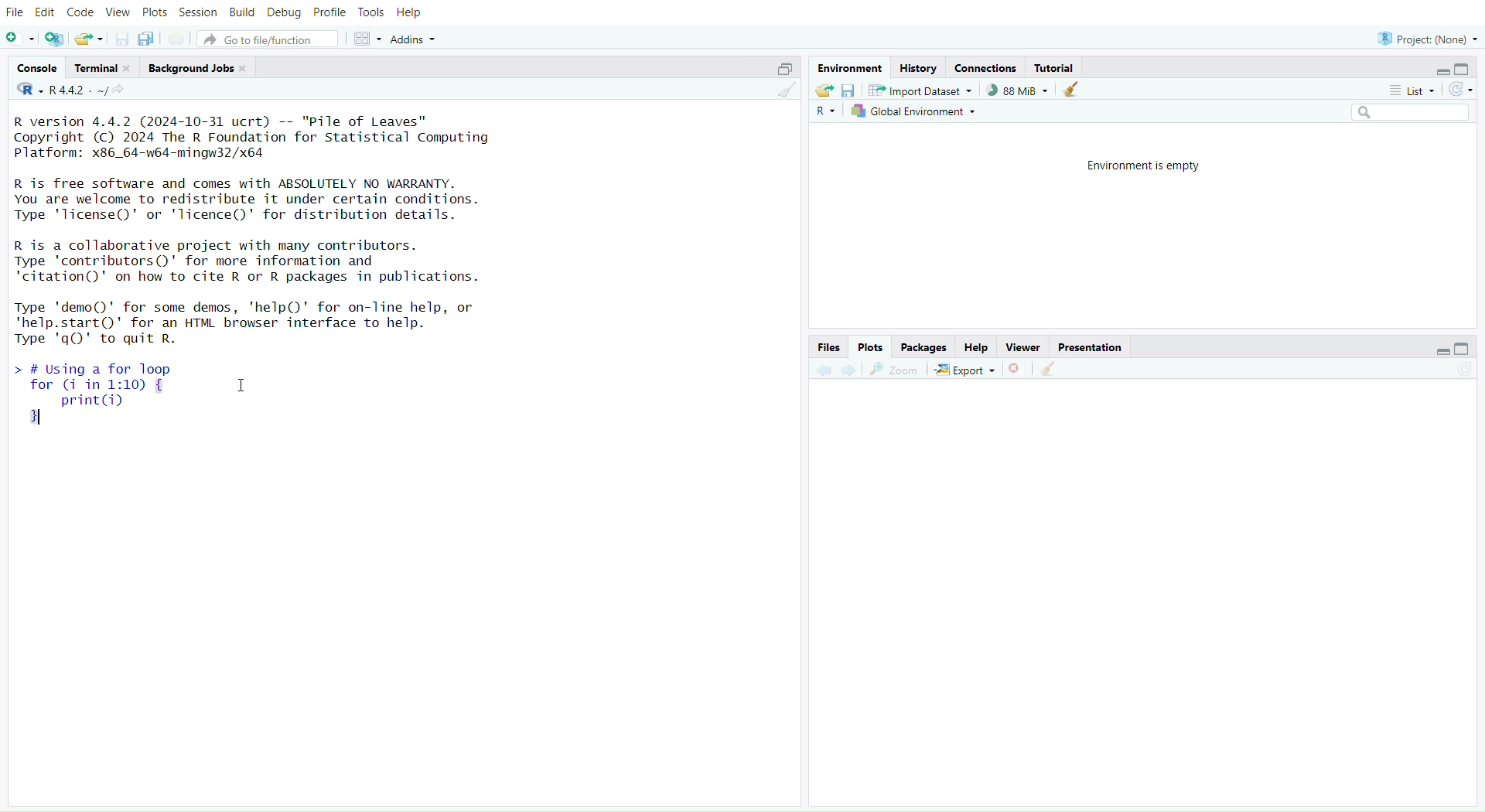 The width and height of the screenshot is (1485, 812). Describe the element at coordinates (824, 370) in the screenshot. I see `backward` at that location.